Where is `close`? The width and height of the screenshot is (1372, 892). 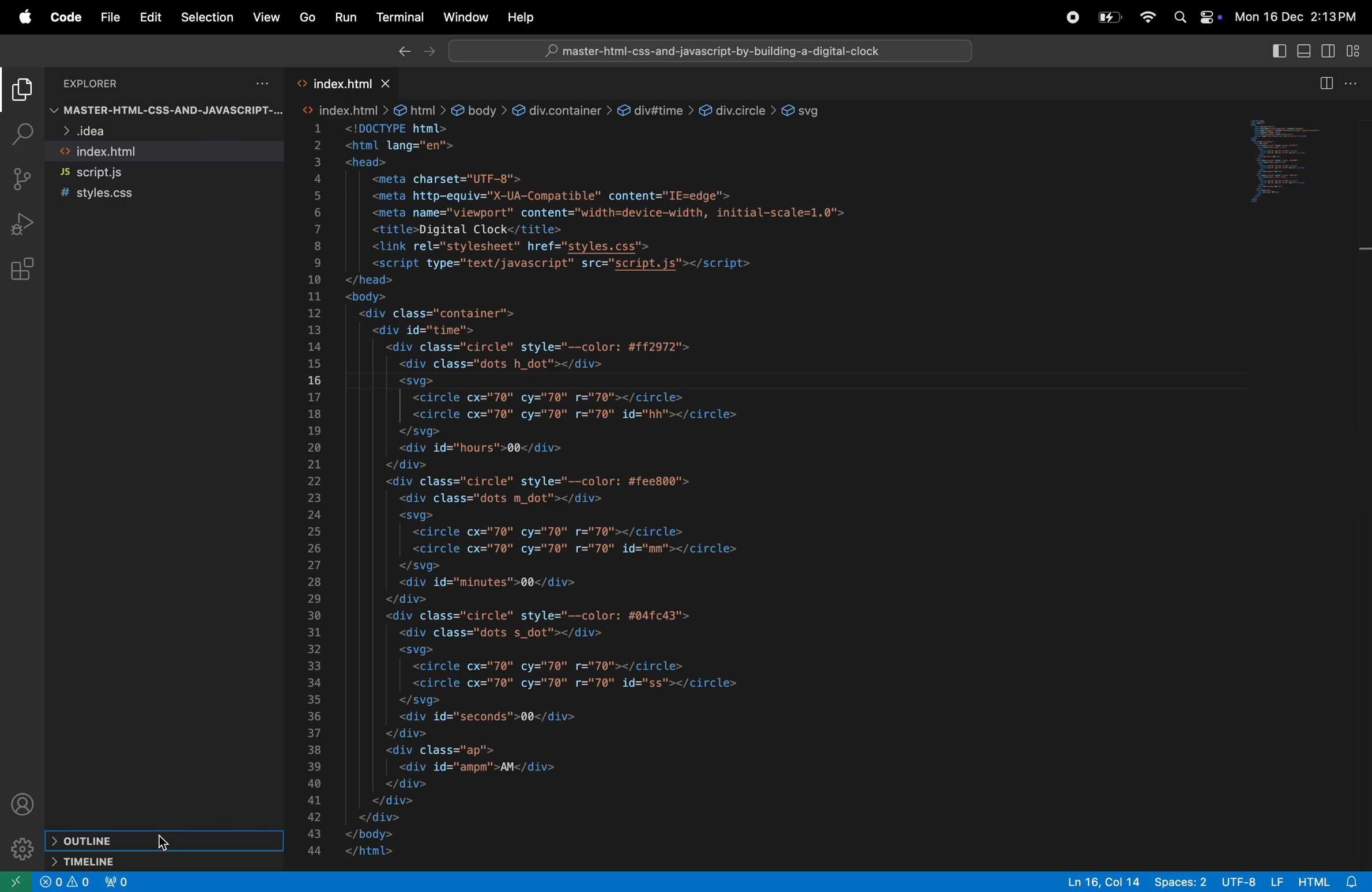
close is located at coordinates (50, 882).